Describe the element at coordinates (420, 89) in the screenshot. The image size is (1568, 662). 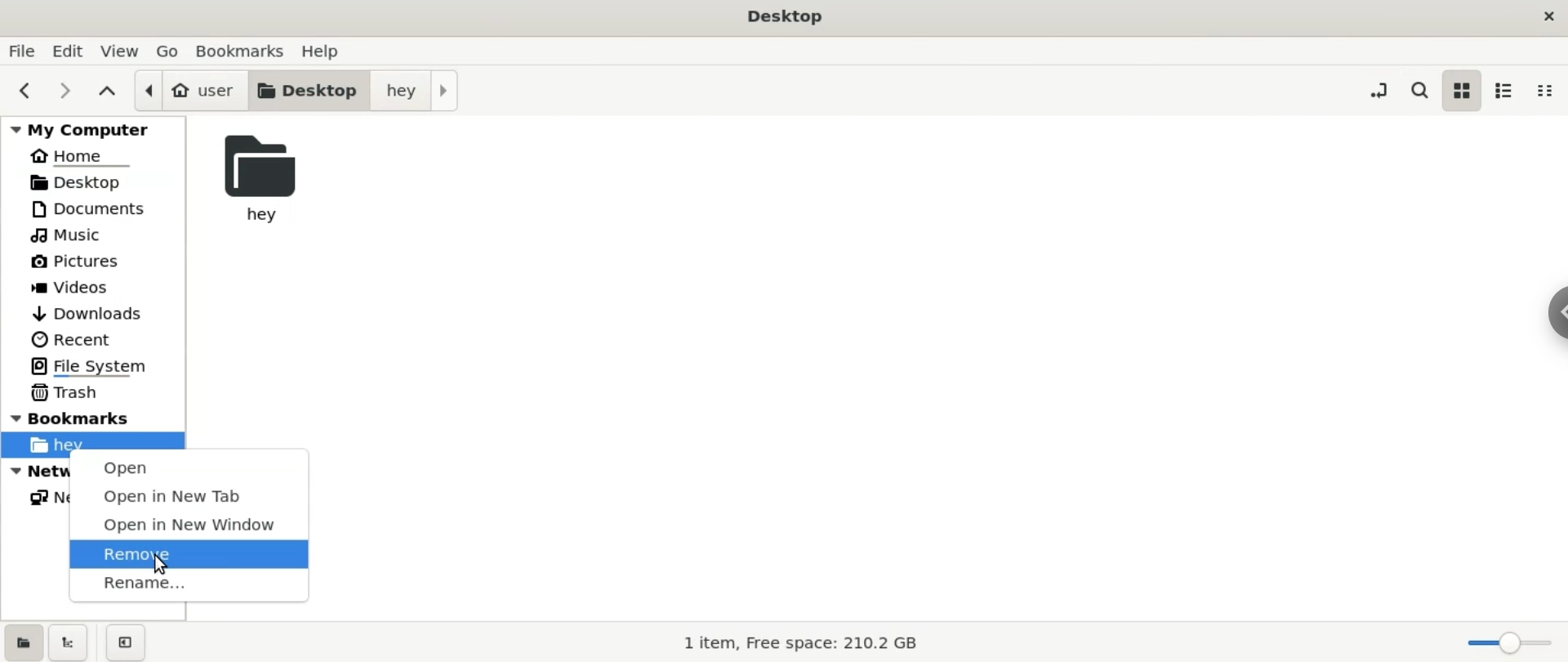
I see `hey` at that location.